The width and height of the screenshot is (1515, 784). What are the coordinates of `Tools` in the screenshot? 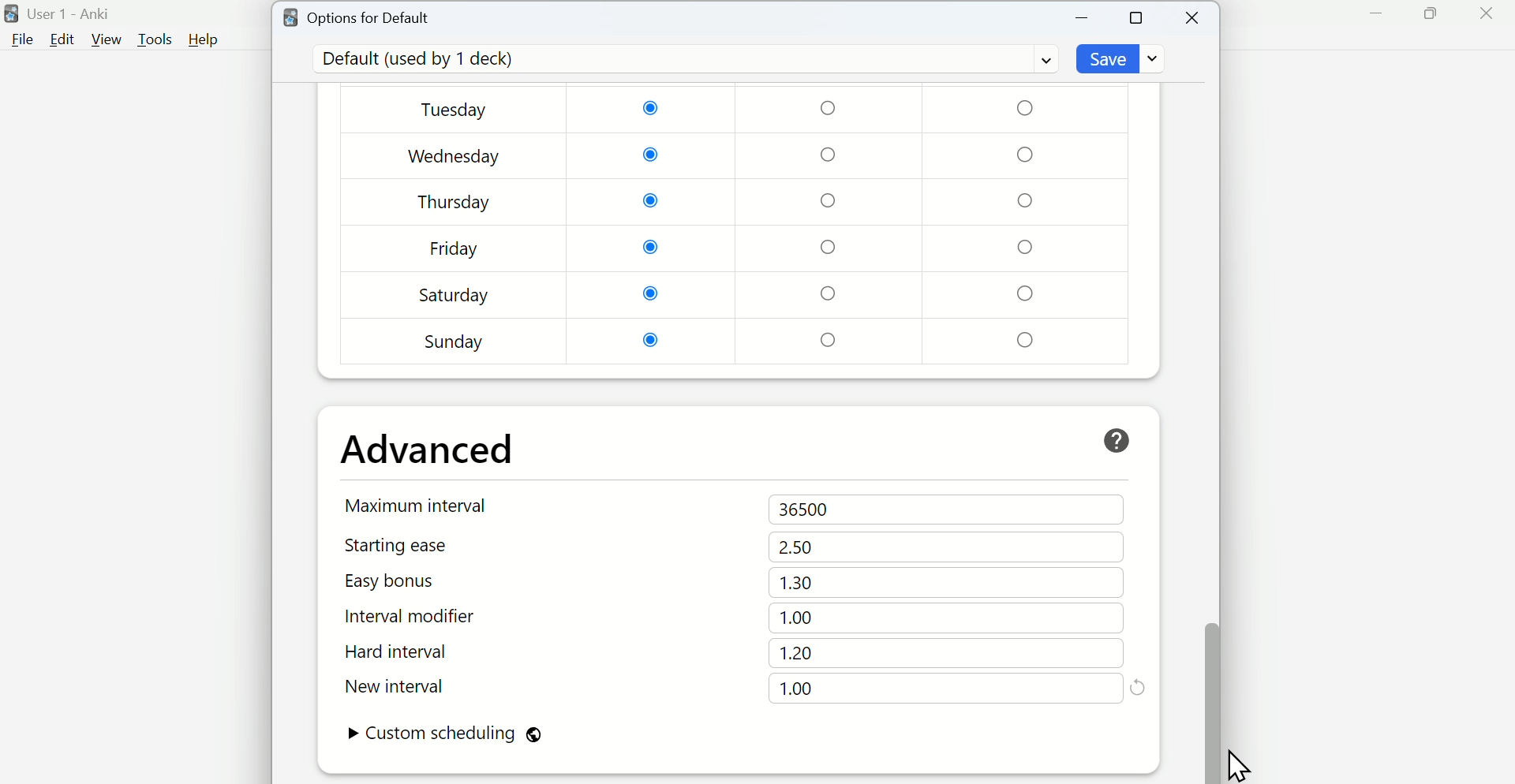 It's located at (157, 39).